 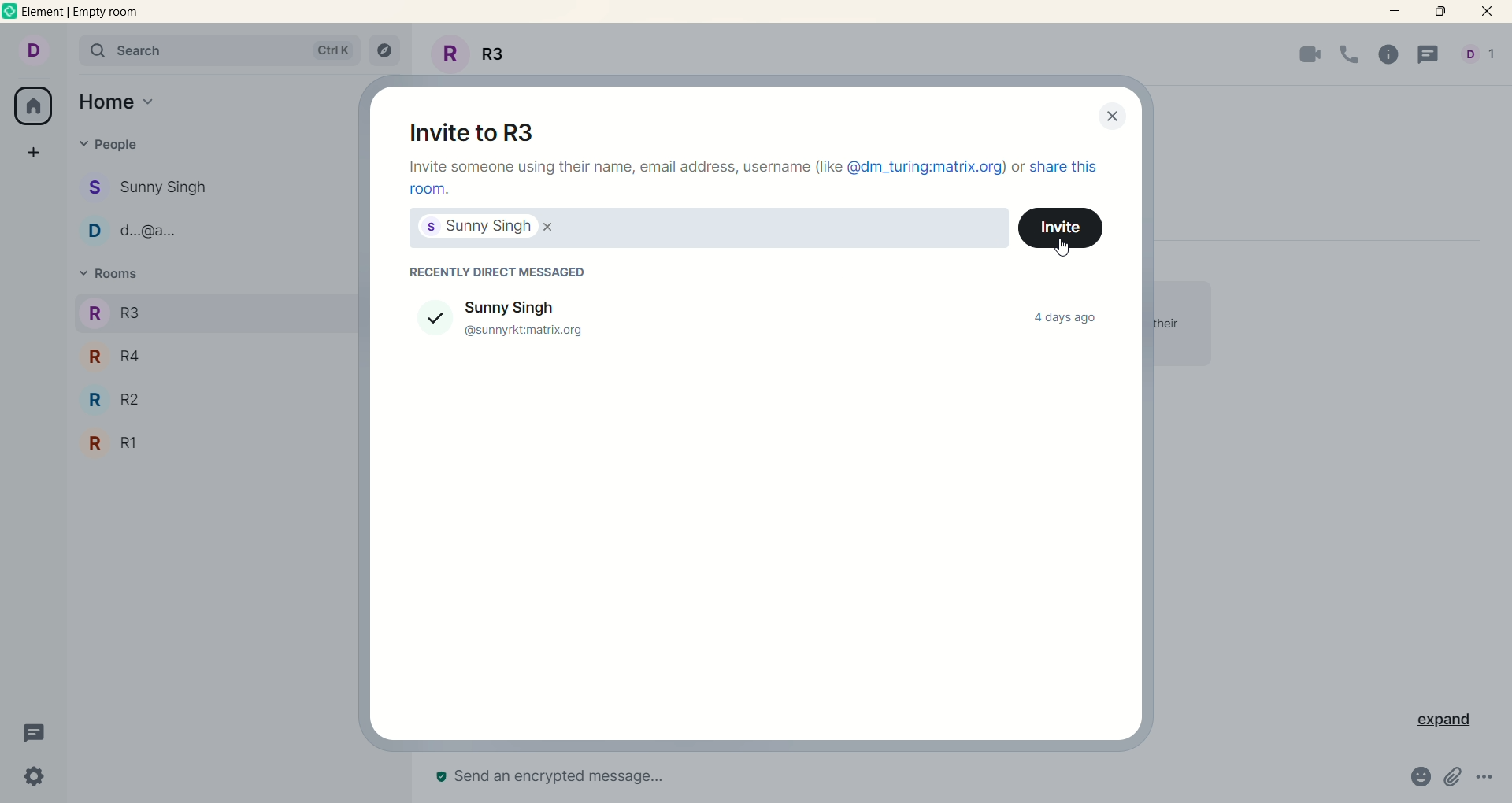 What do you see at coordinates (533, 305) in the screenshot?
I see `Sunny Singh` at bounding box center [533, 305].